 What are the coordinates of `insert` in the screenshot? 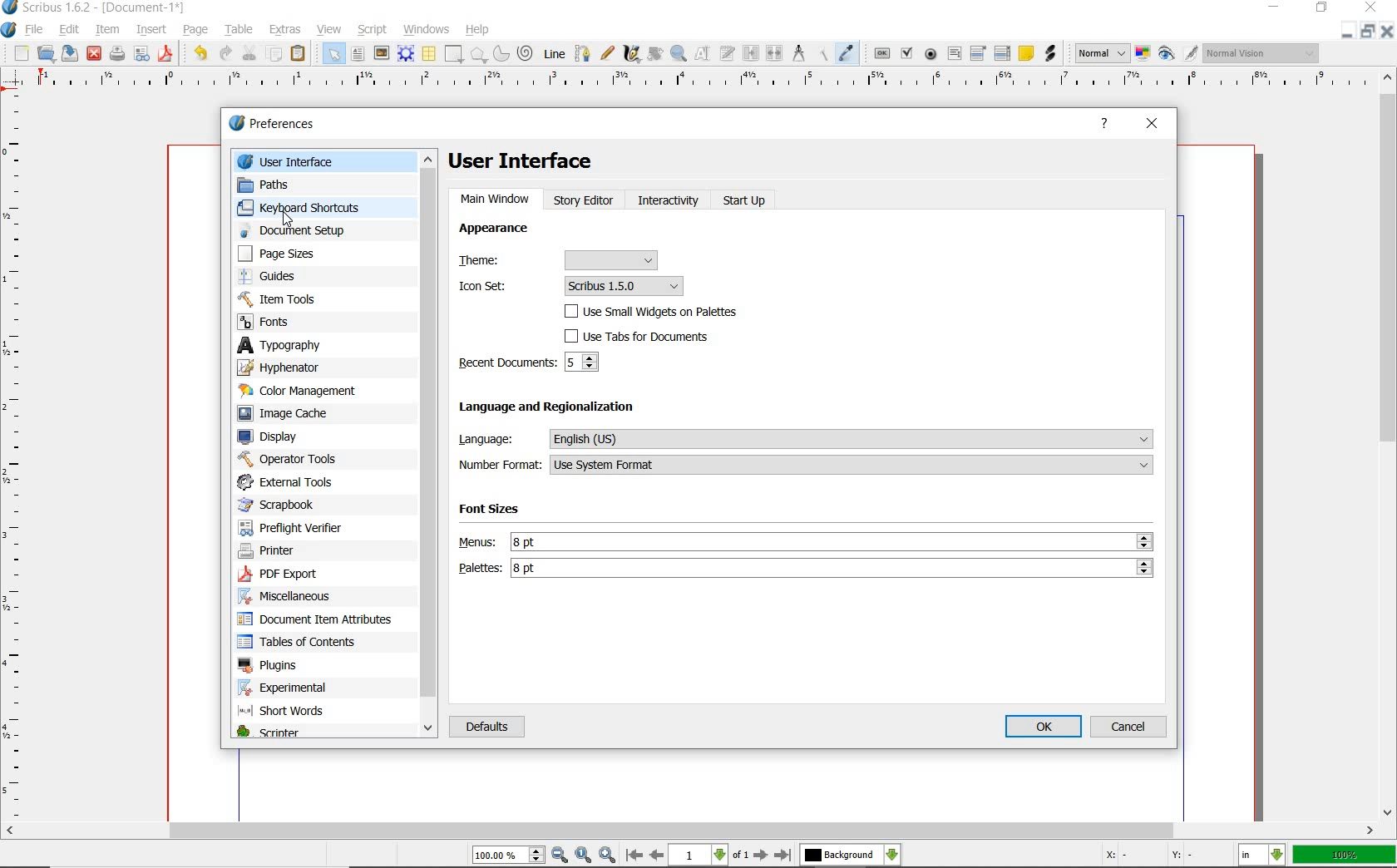 It's located at (151, 30).